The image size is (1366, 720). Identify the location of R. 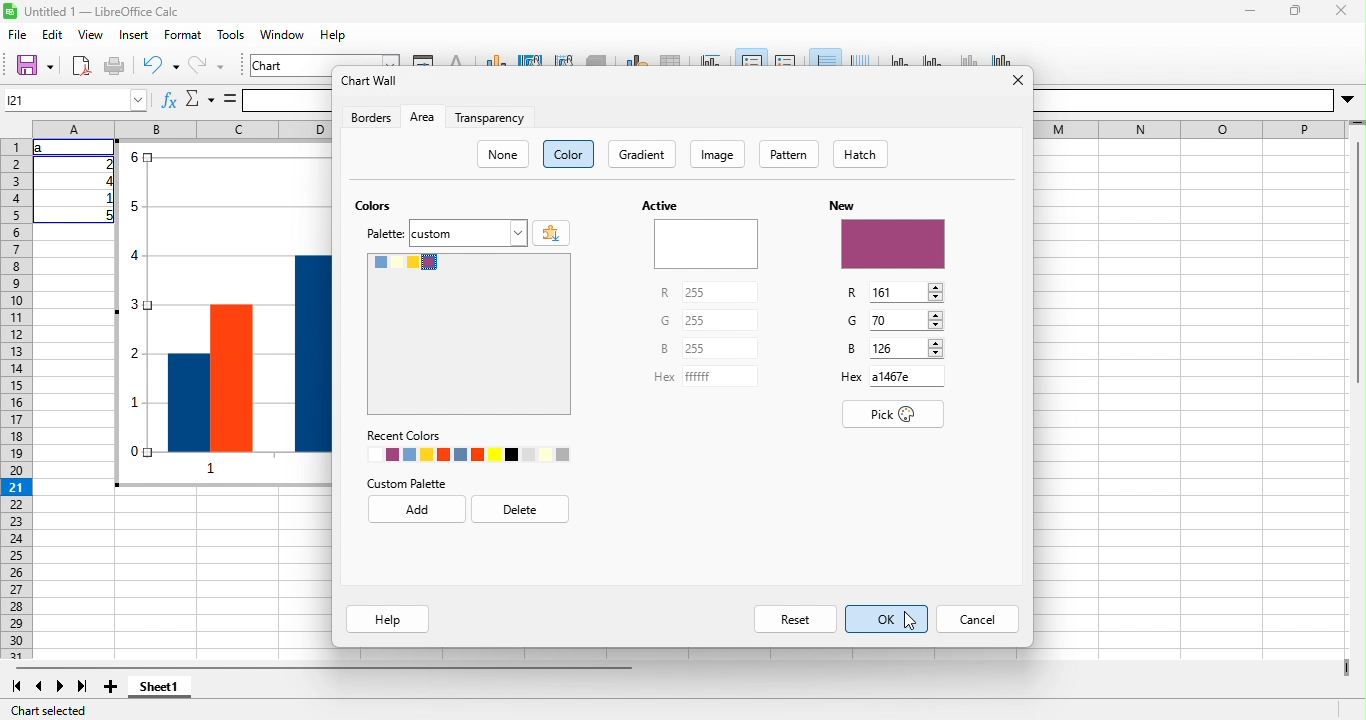
(852, 293).